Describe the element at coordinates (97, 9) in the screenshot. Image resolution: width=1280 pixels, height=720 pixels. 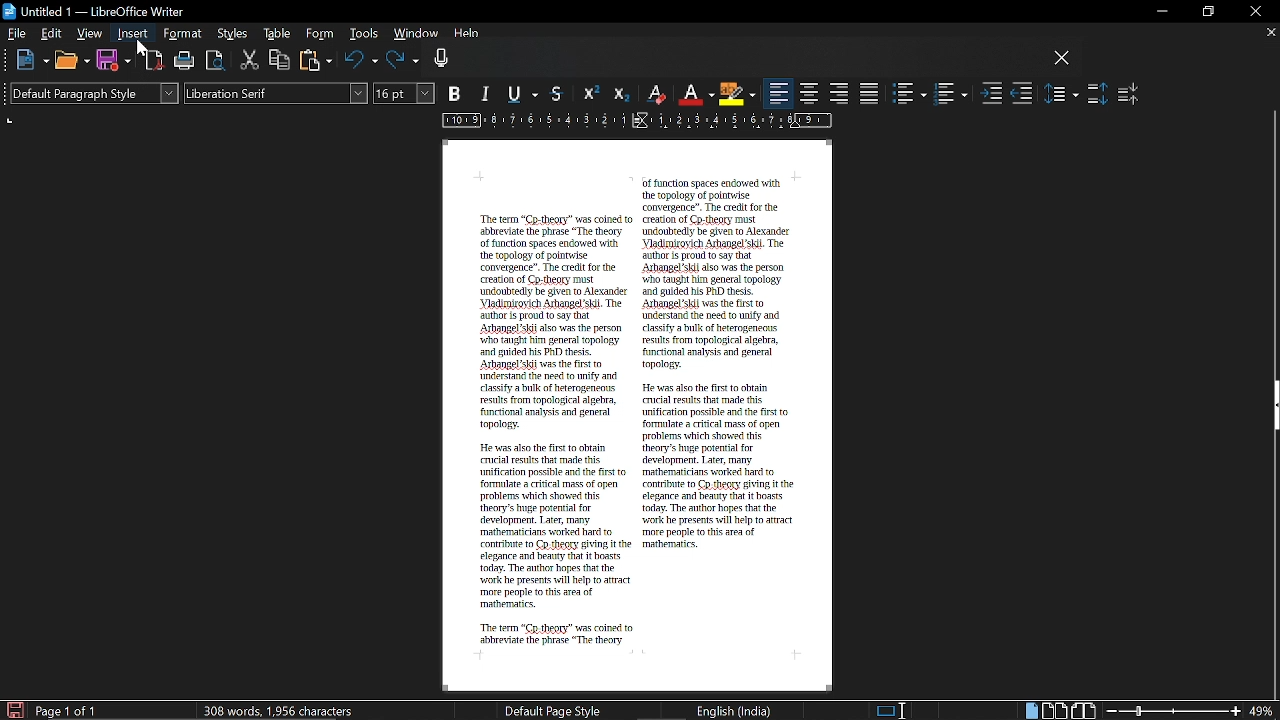
I see `untitled 1 - libreoffice writer` at that location.